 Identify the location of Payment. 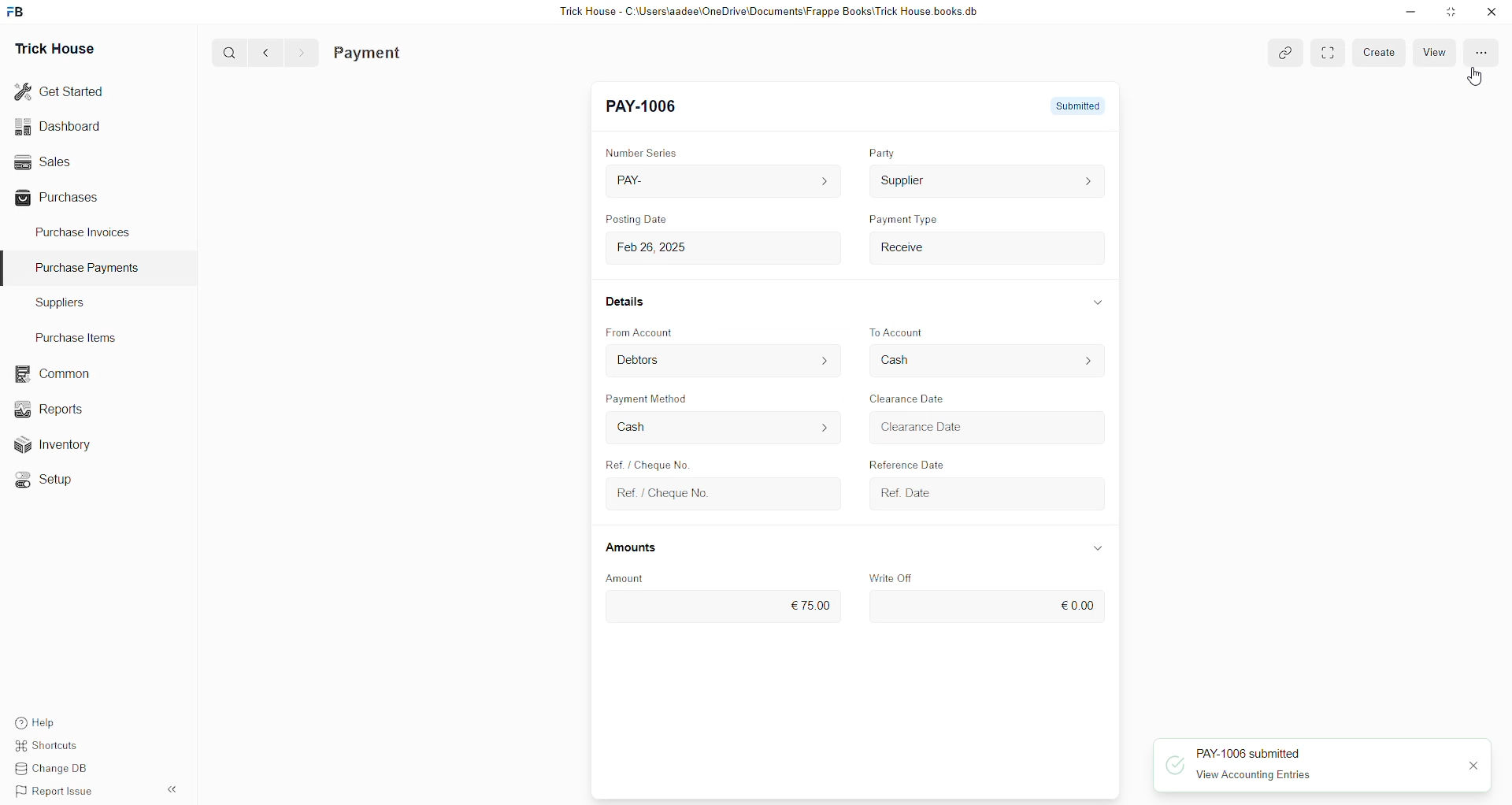
(370, 52).